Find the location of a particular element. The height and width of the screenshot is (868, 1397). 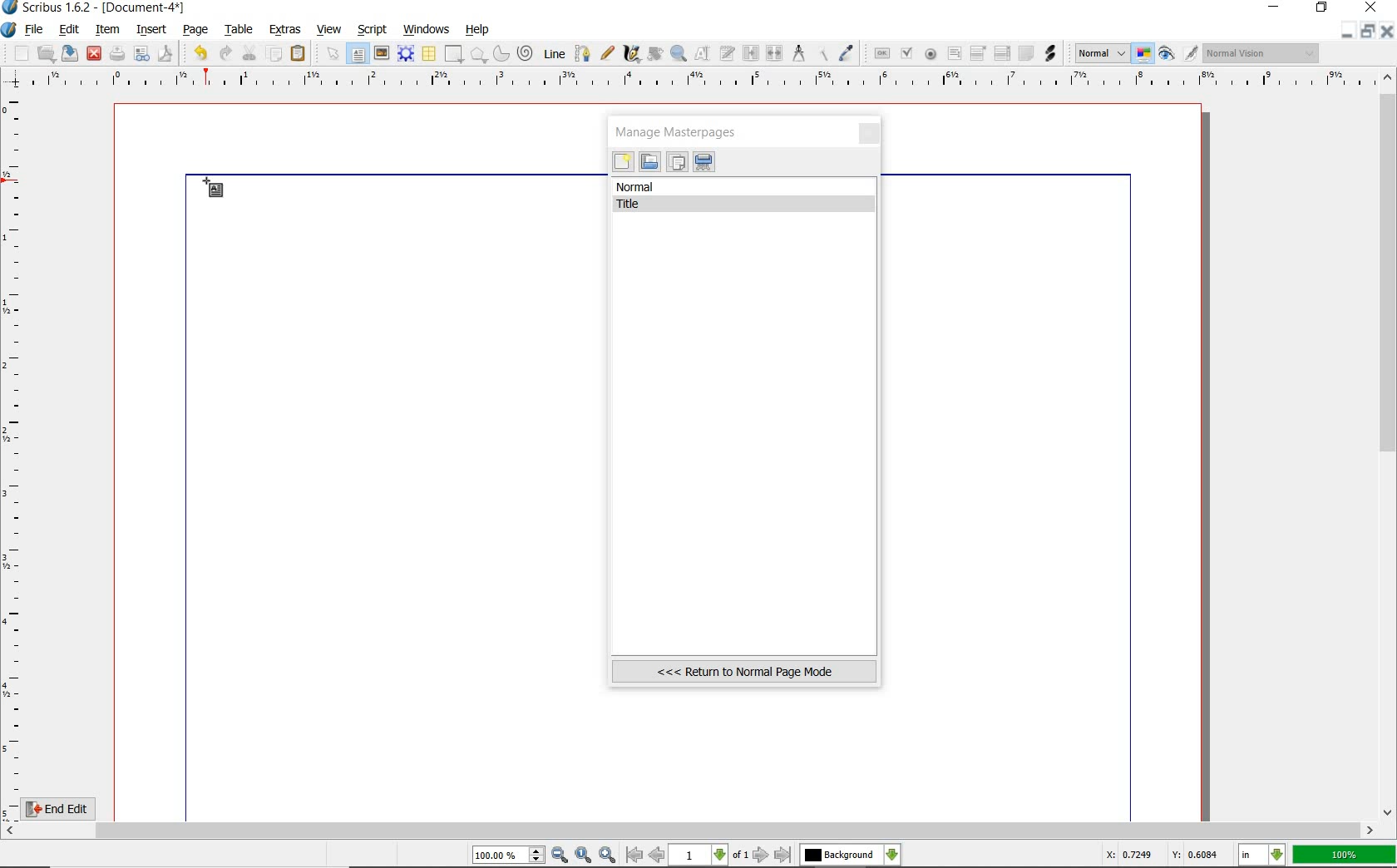

normal is located at coordinates (745, 187).